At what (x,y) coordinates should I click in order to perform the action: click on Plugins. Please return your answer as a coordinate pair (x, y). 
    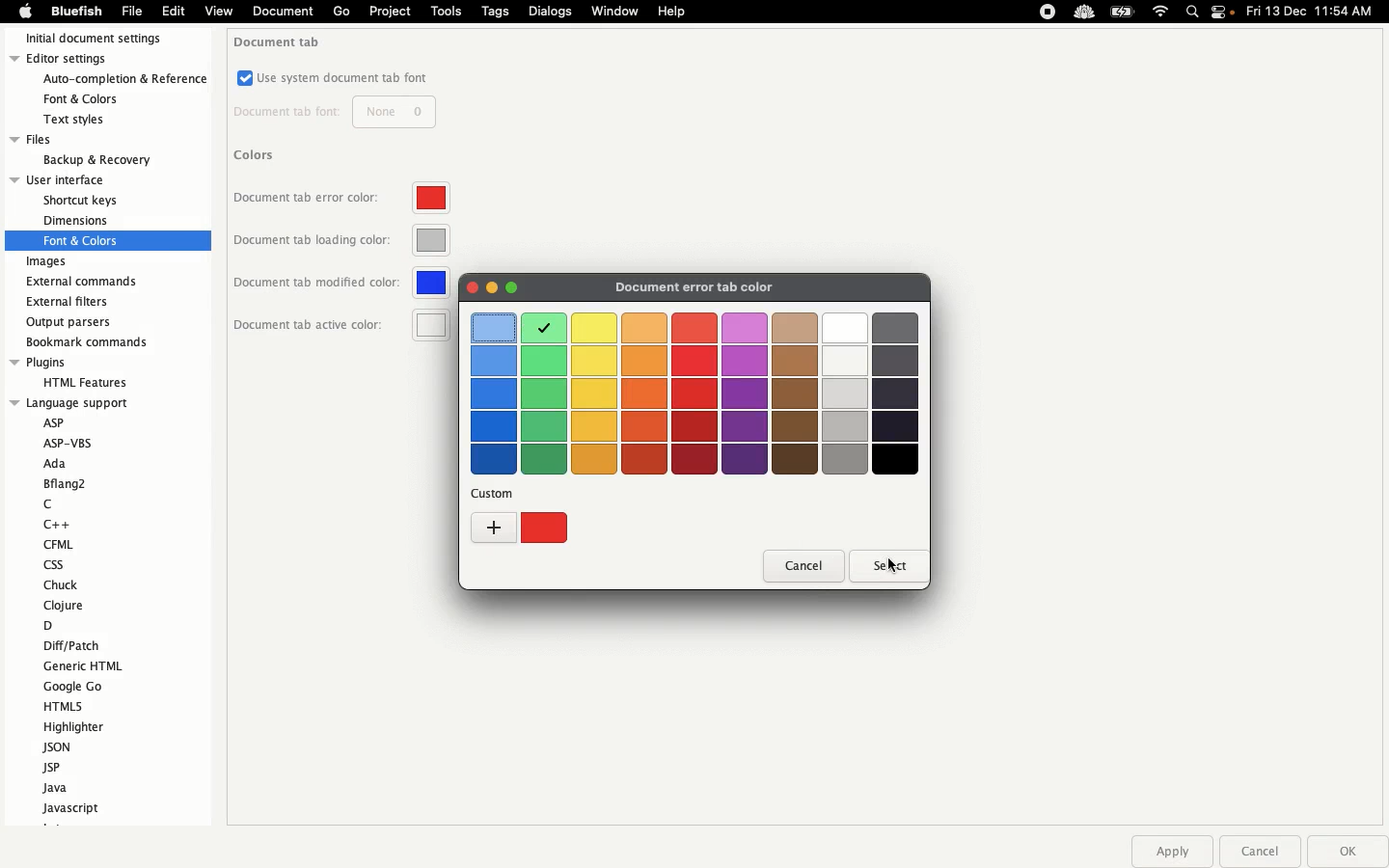
    Looking at the image, I should click on (71, 363).